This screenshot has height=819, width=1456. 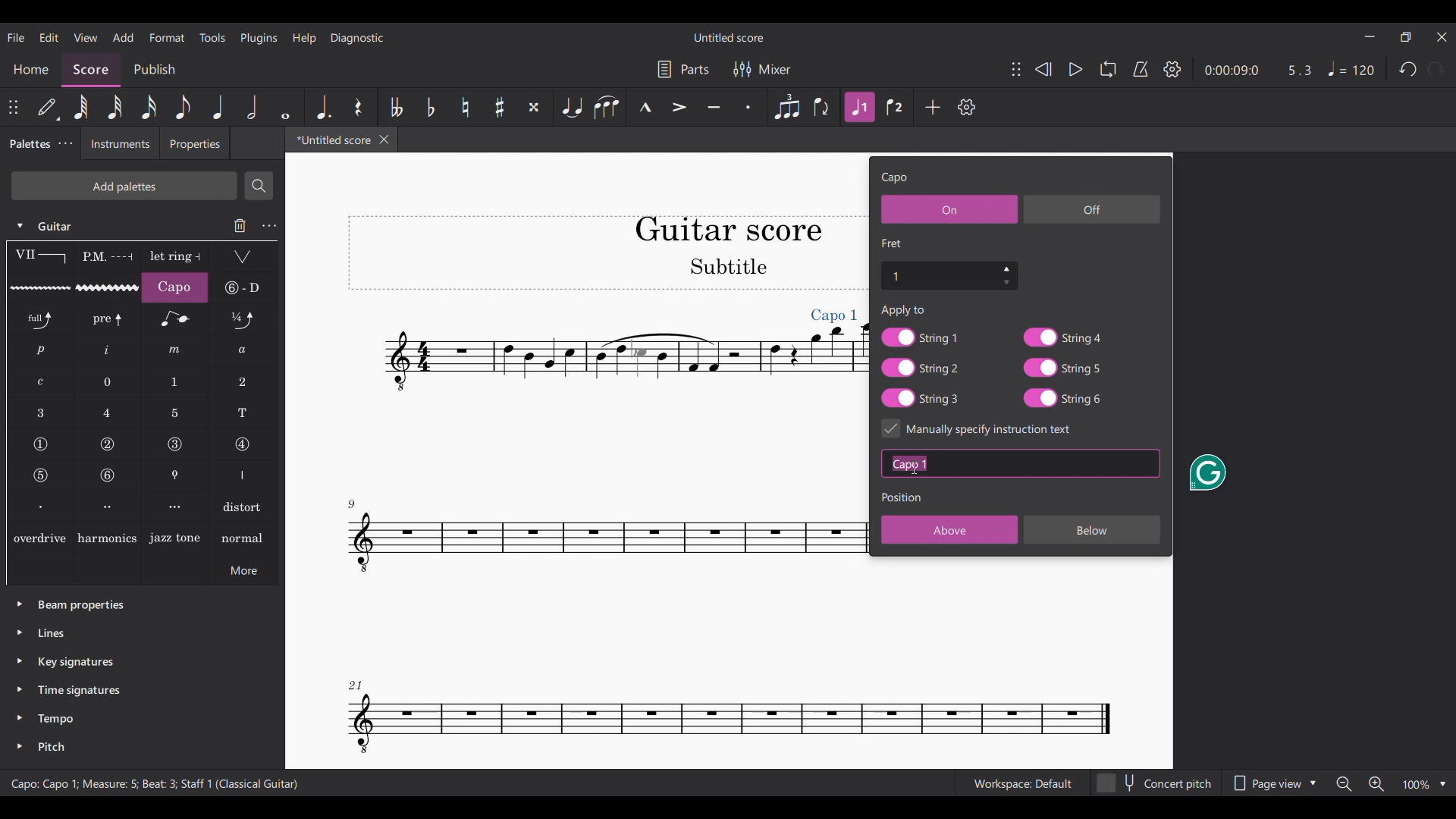 I want to click on Zoom in, so click(x=1376, y=784).